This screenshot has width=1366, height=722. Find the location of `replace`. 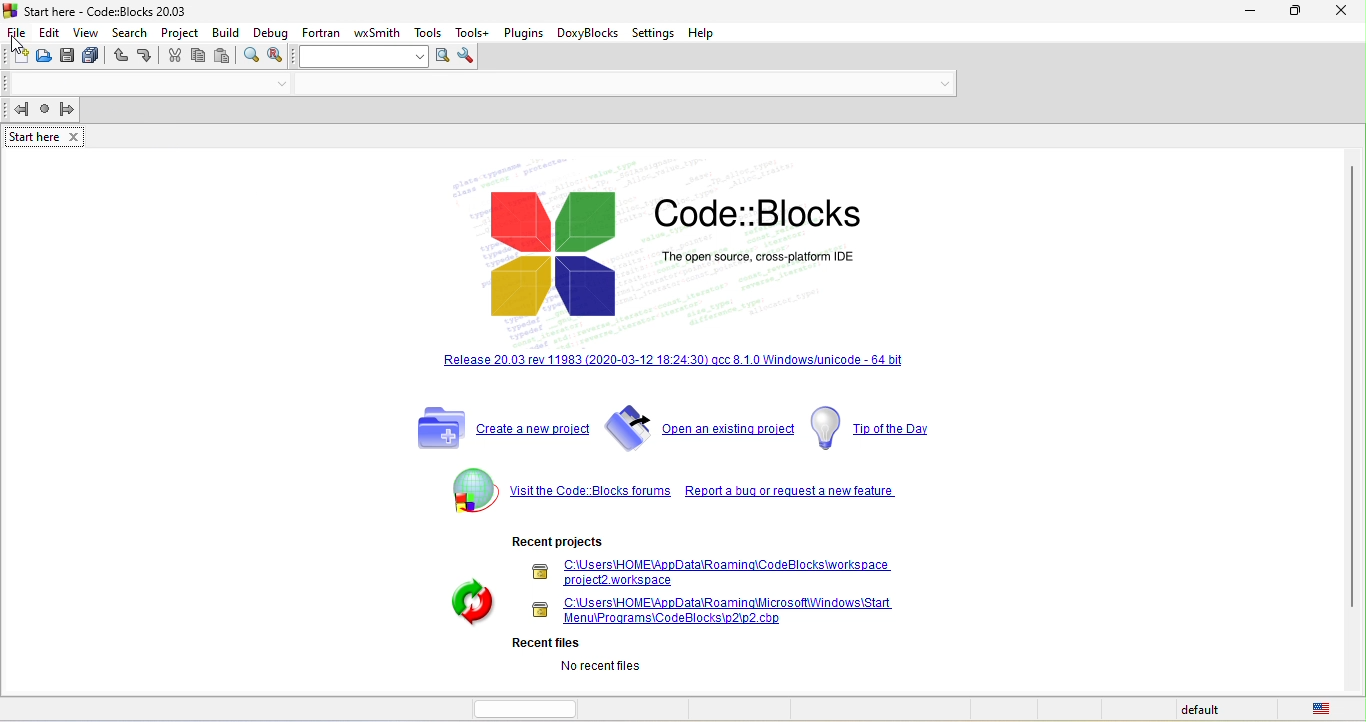

replace is located at coordinates (280, 56).